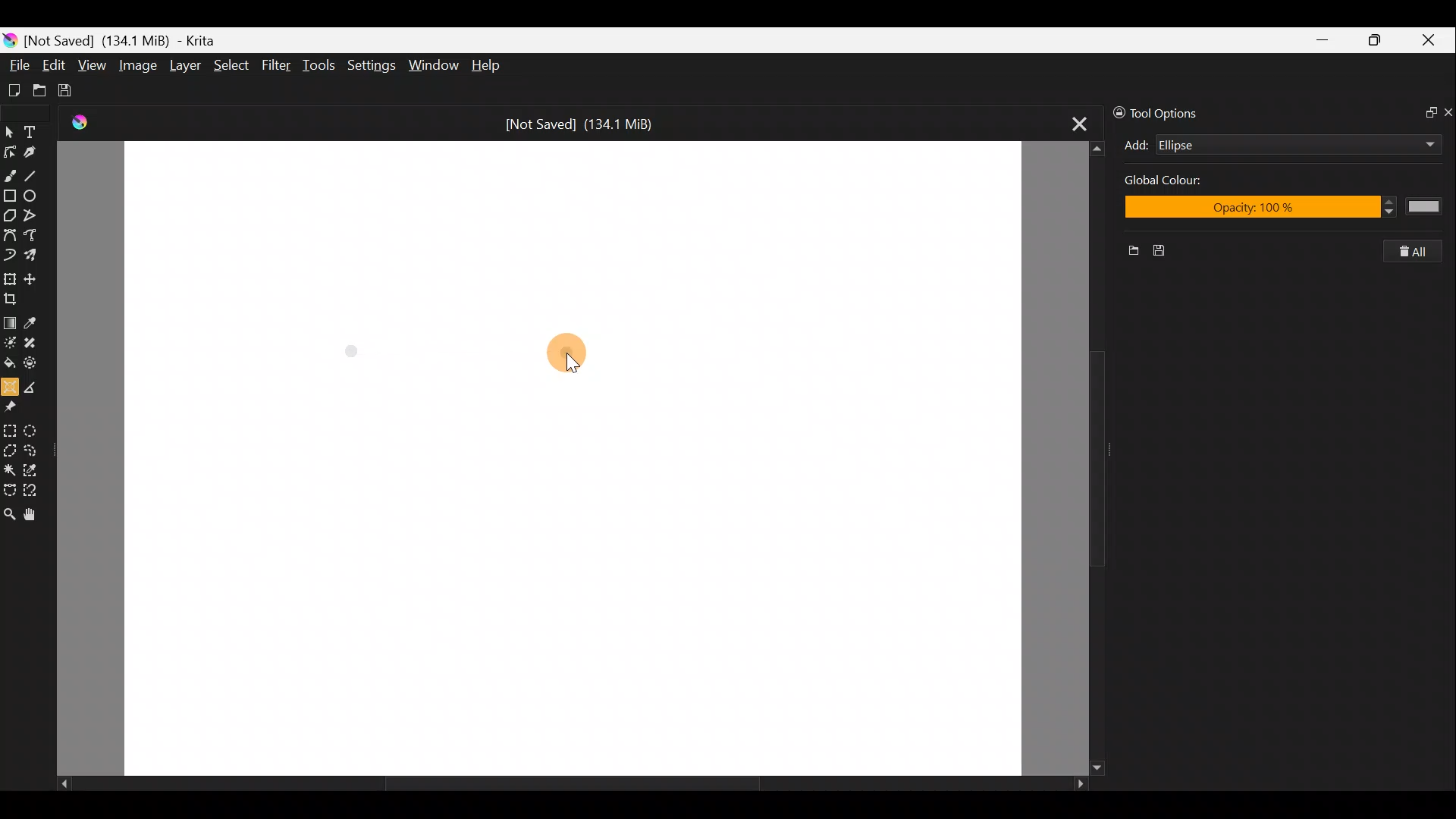  I want to click on Save, so click(74, 91).